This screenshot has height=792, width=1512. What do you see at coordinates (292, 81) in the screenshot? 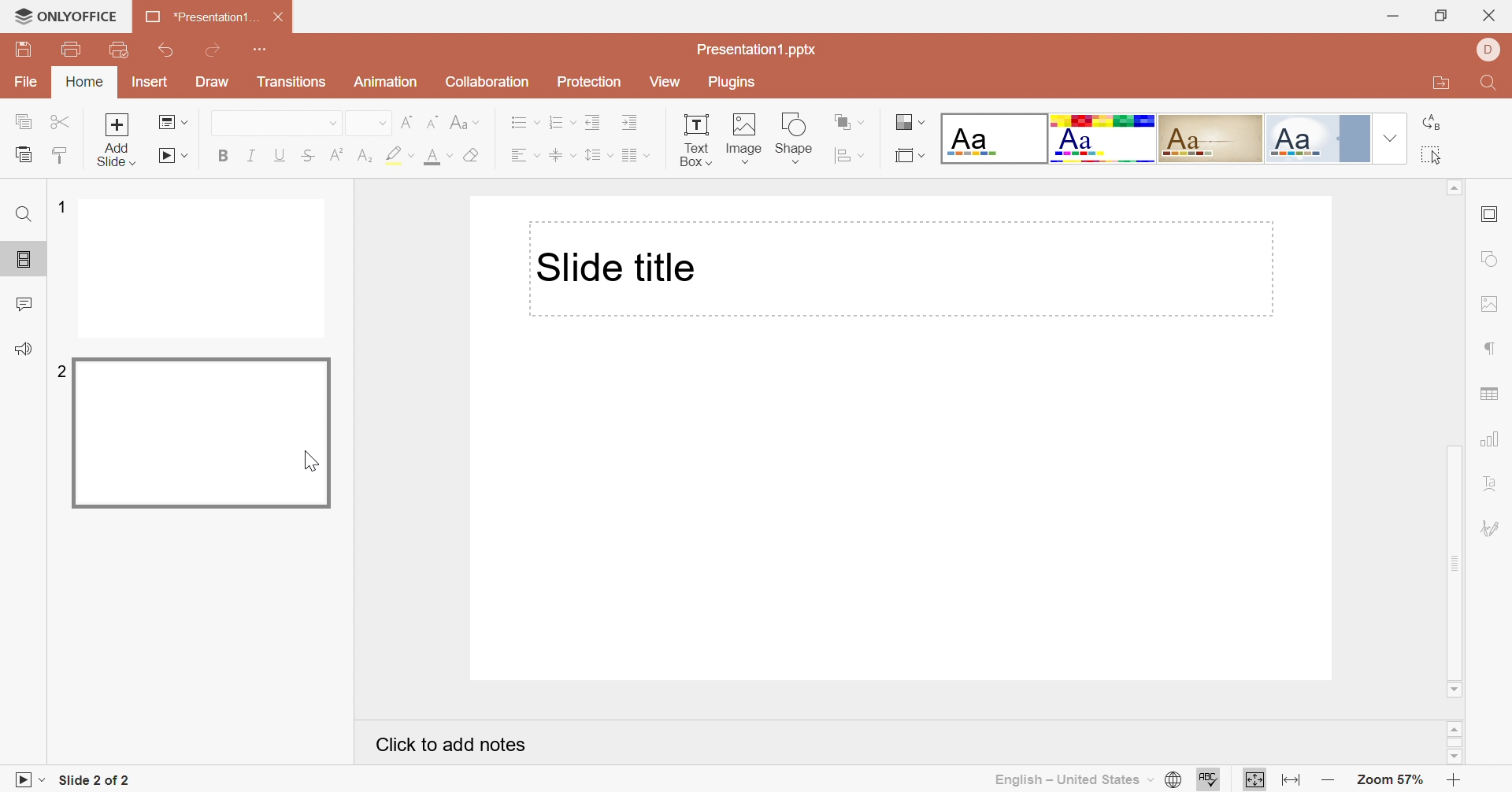
I see `Transition` at bounding box center [292, 81].